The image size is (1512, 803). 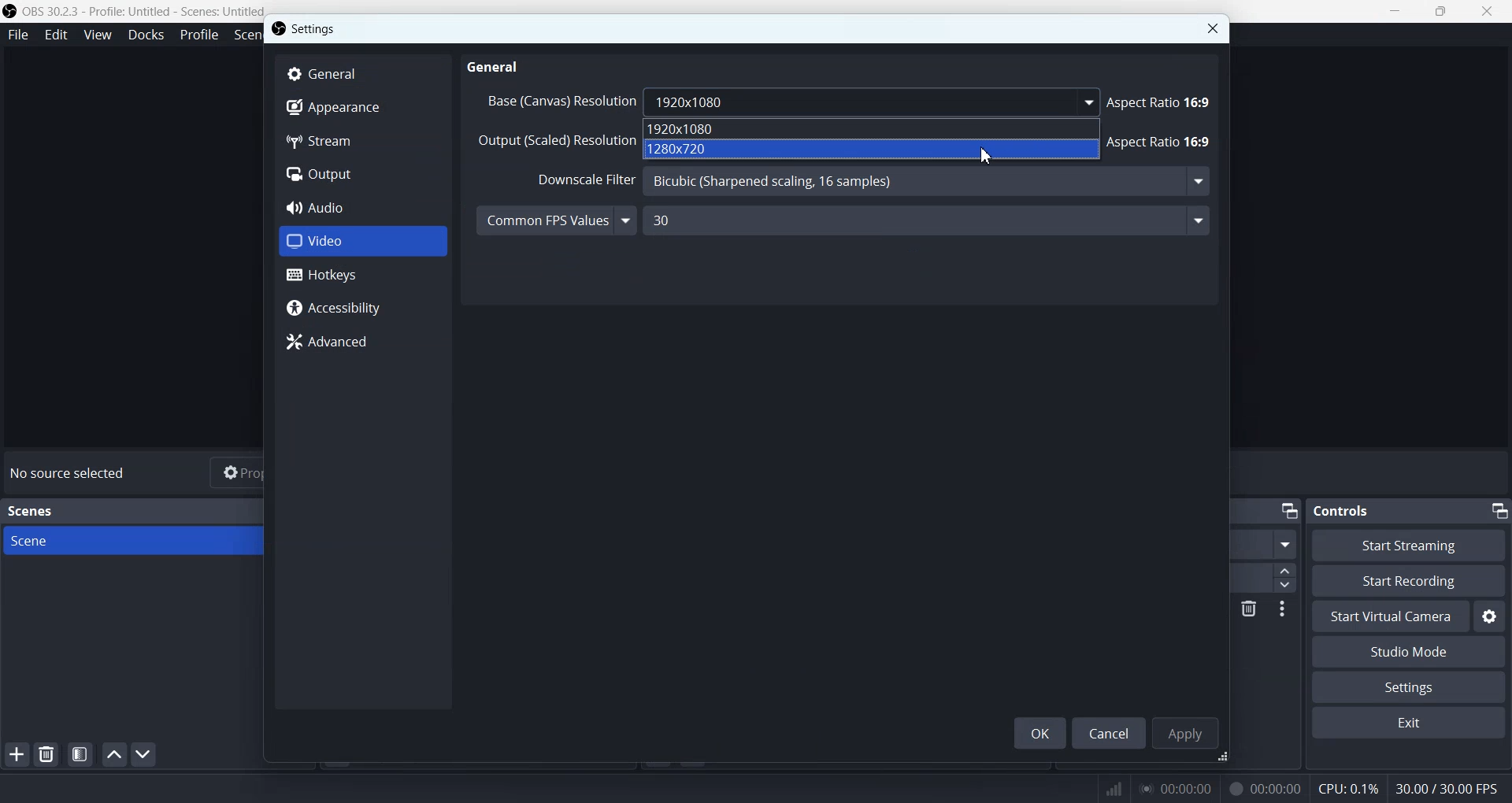 I want to click on CPU: 0.1%, so click(x=1345, y=788).